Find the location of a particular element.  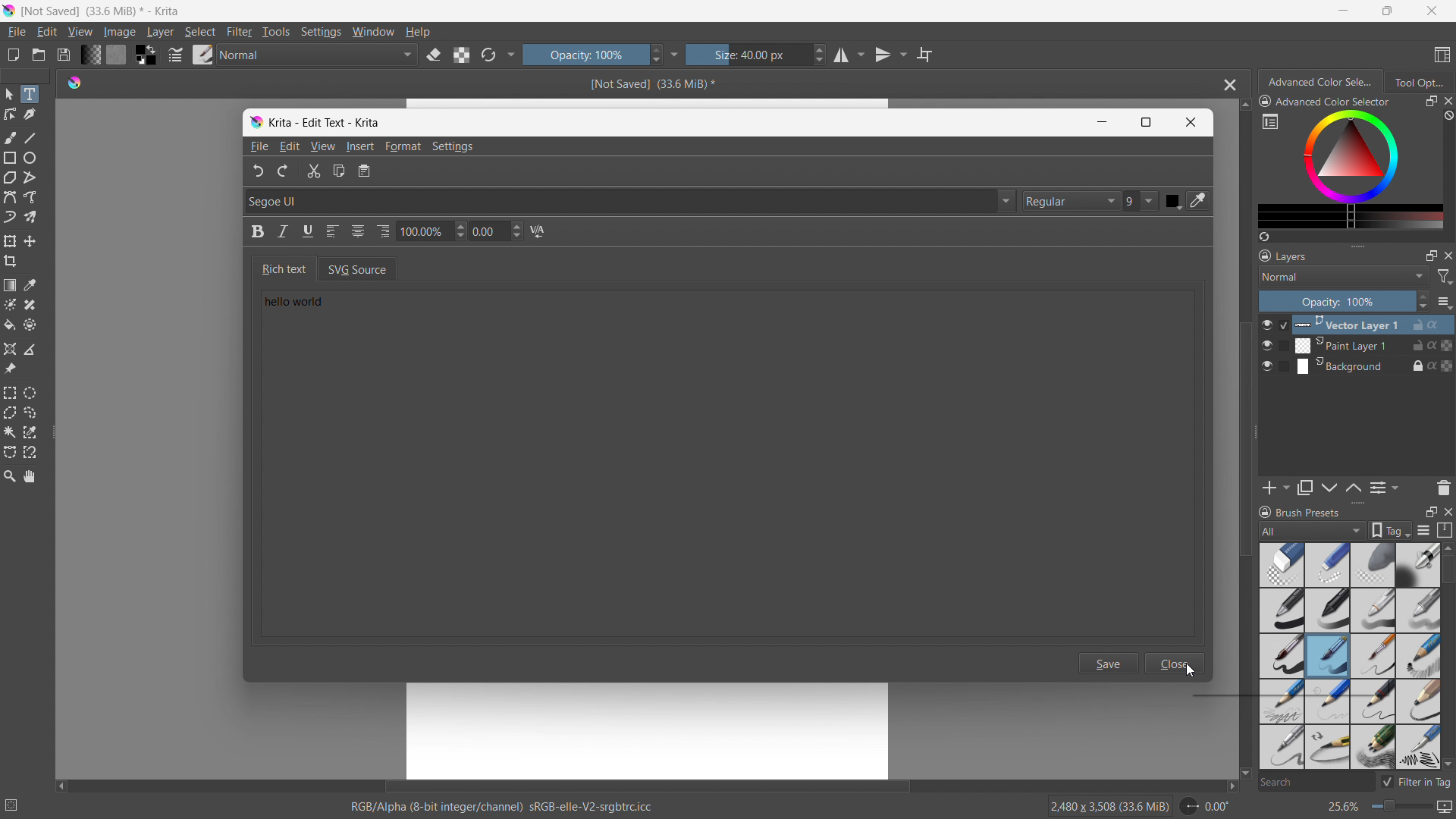

window is located at coordinates (373, 32).